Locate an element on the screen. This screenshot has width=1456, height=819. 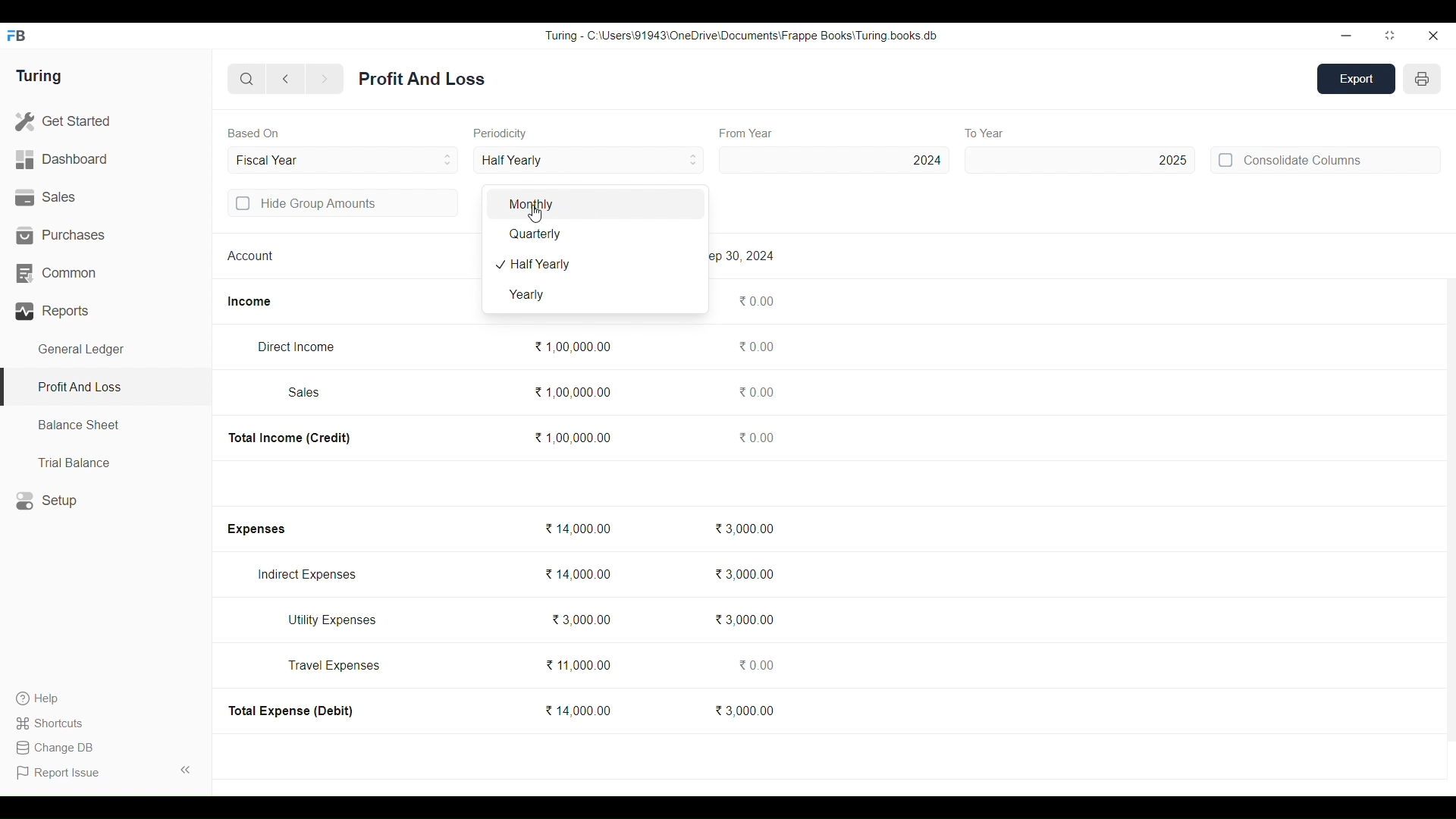
0.00 is located at coordinates (755, 391).